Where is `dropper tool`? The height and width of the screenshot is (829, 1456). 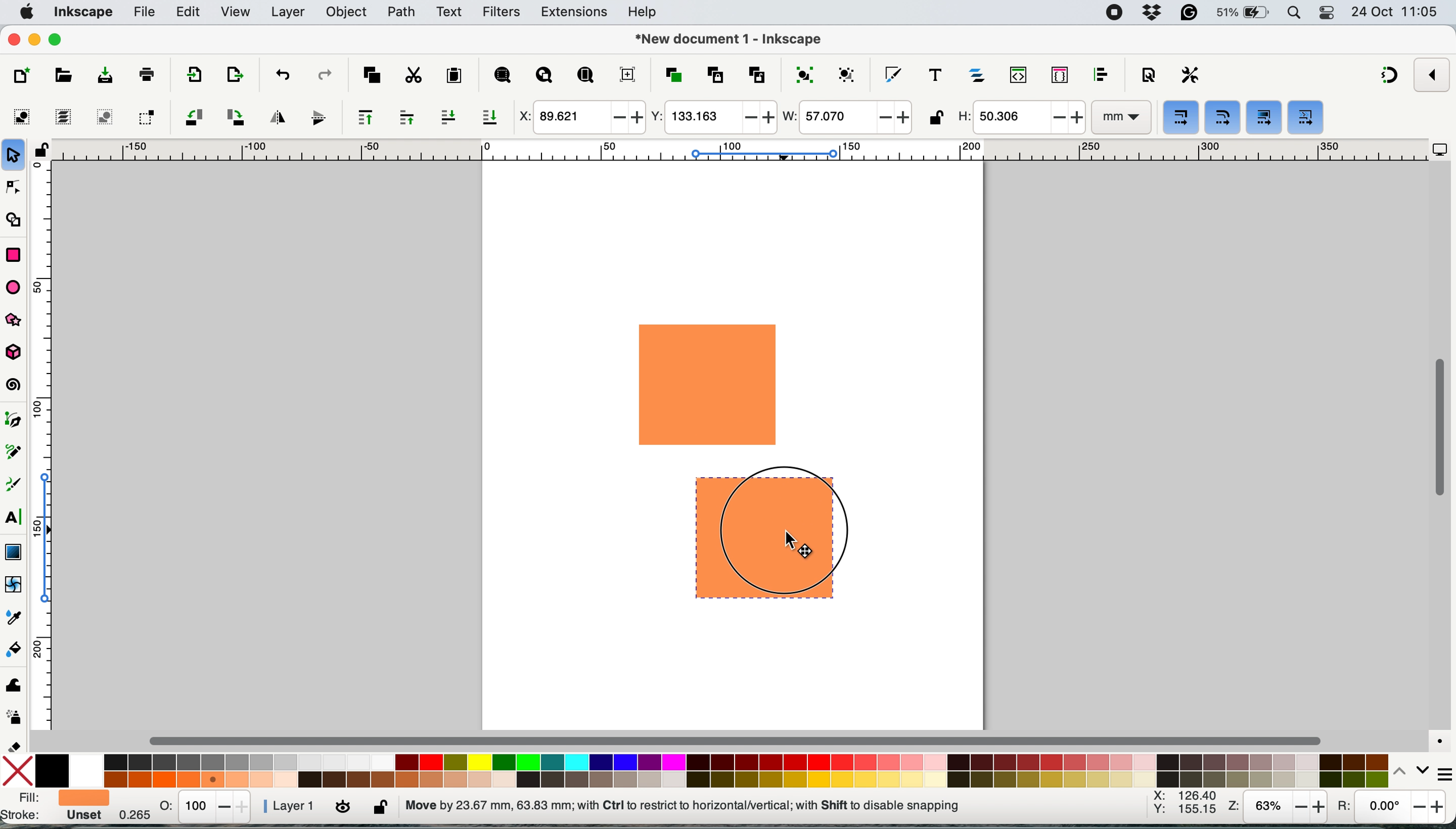 dropper tool is located at coordinates (15, 617).